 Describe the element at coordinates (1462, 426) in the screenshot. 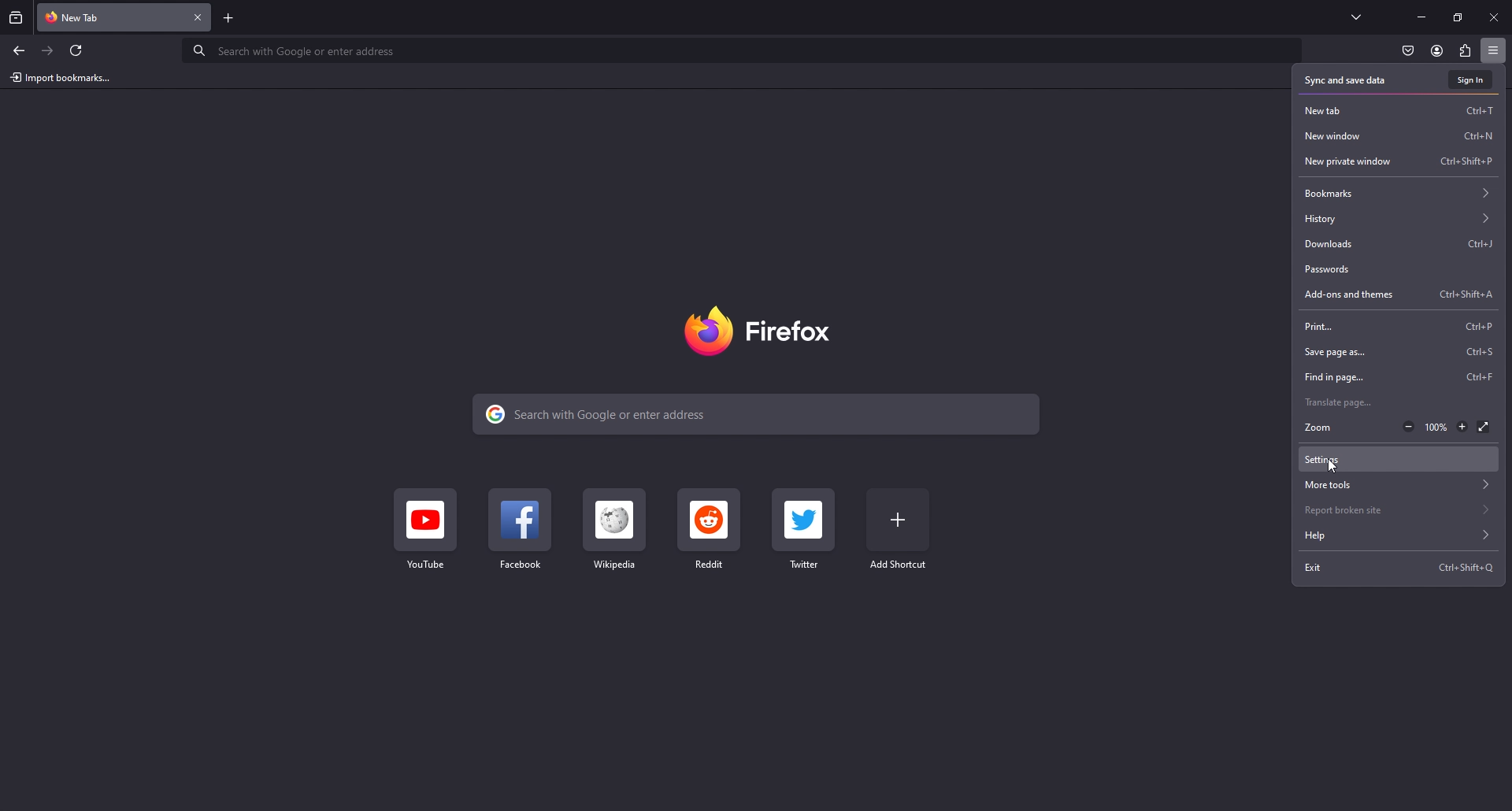

I see `zoom in` at that location.